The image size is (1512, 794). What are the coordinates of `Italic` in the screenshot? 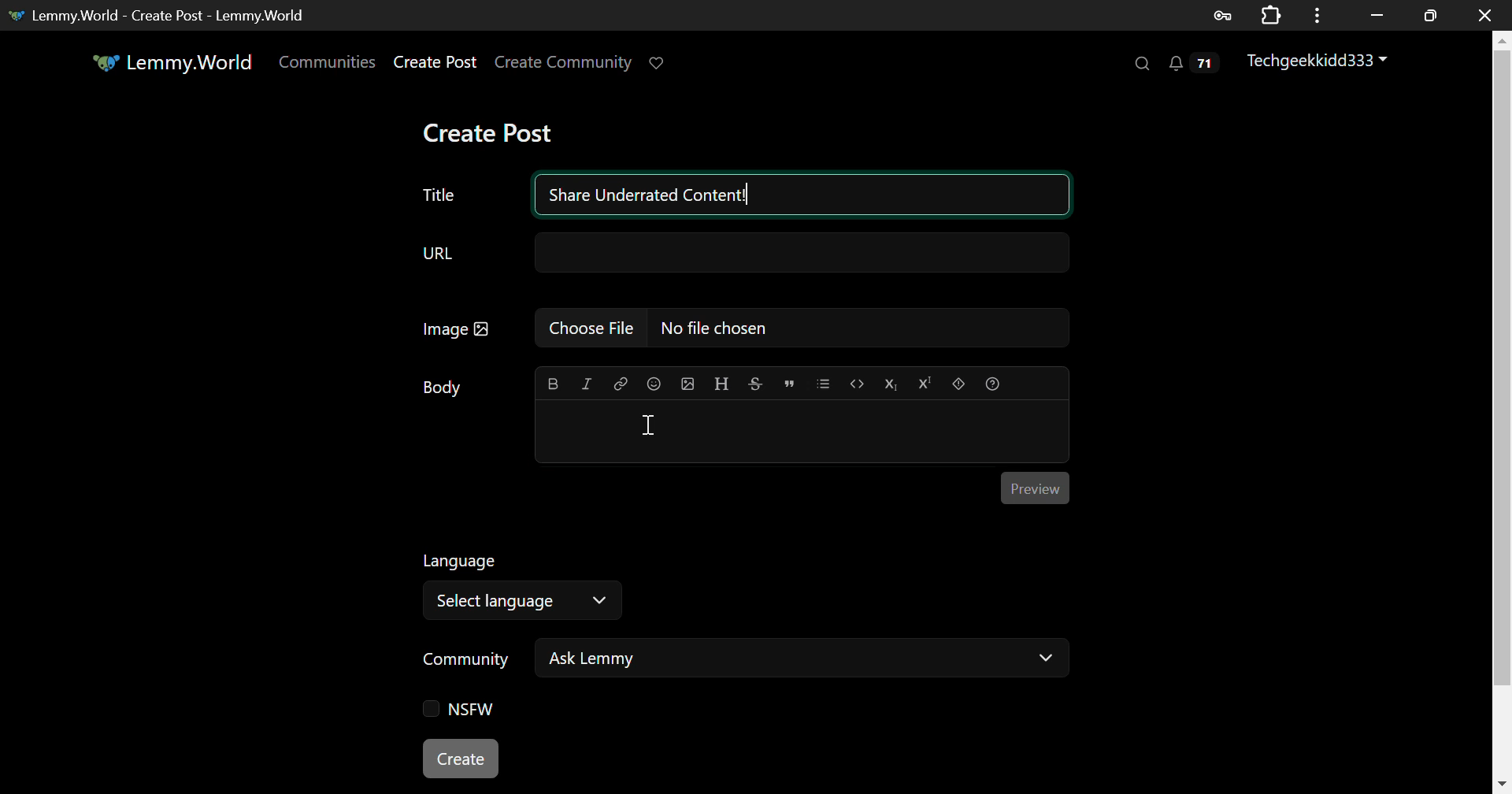 It's located at (586, 385).